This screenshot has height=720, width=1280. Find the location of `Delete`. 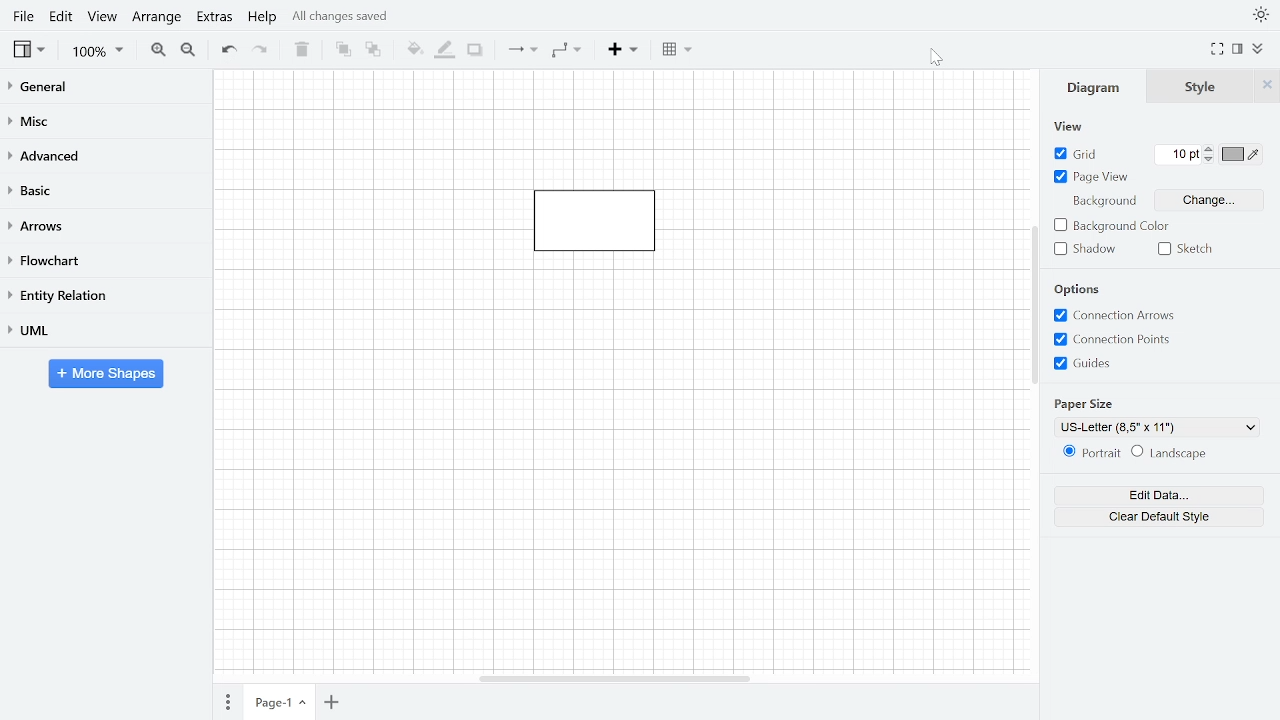

Delete is located at coordinates (302, 50).